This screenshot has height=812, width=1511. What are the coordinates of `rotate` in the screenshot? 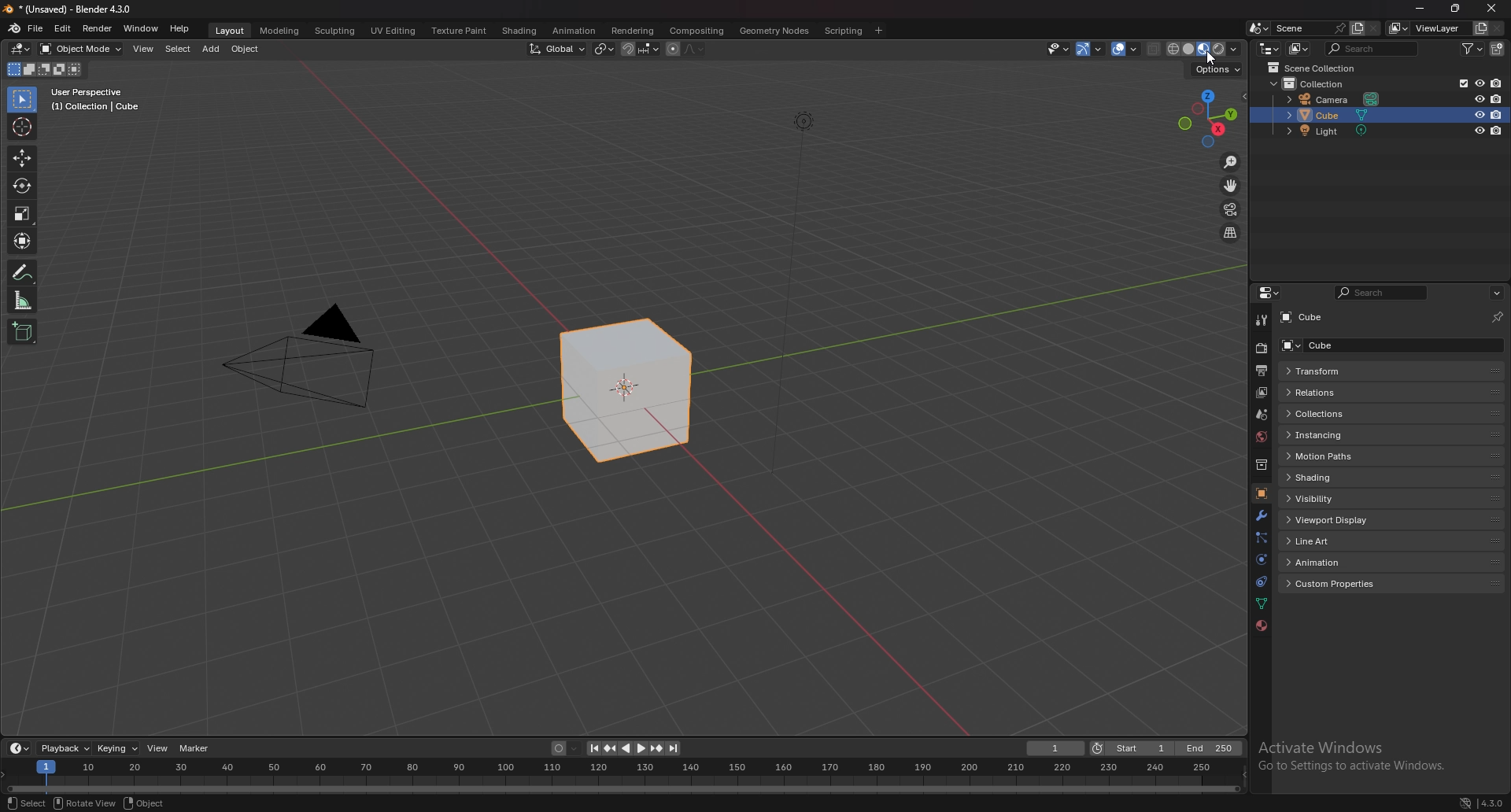 It's located at (22, 186).